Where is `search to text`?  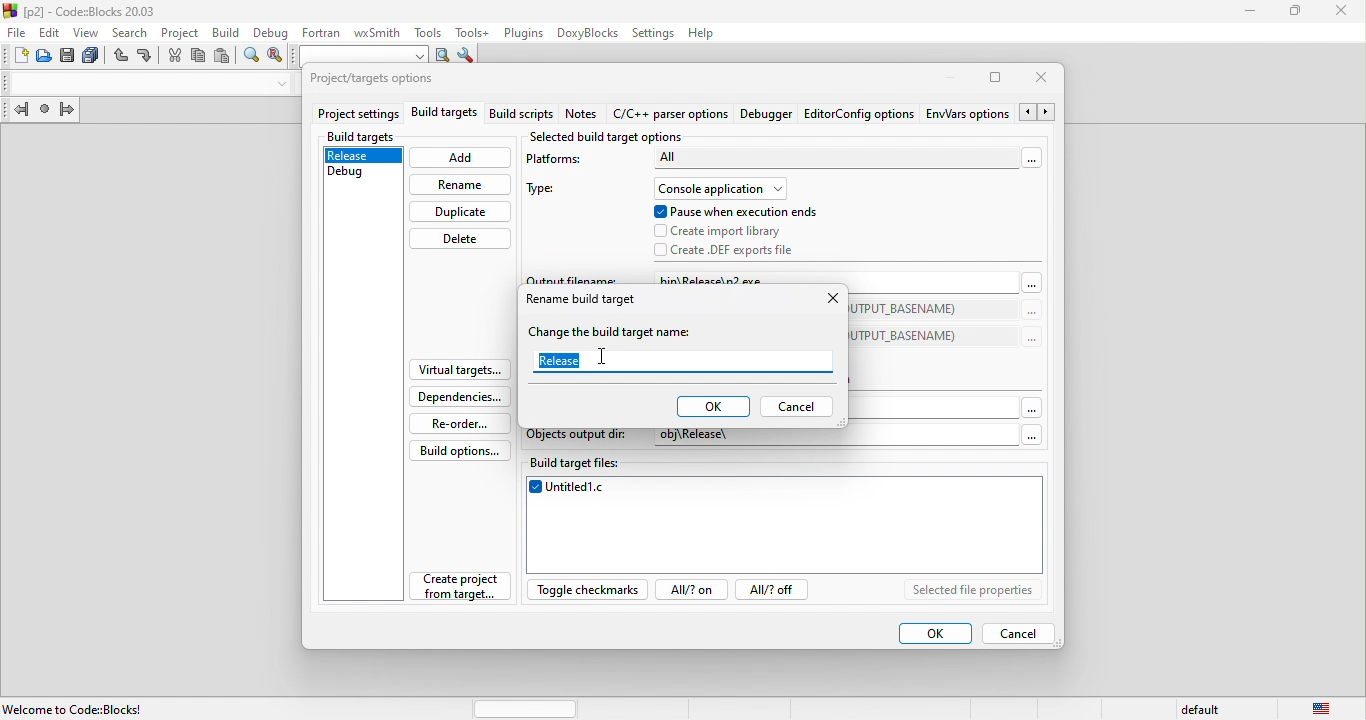 search to text is located at coordinates (361, 54).